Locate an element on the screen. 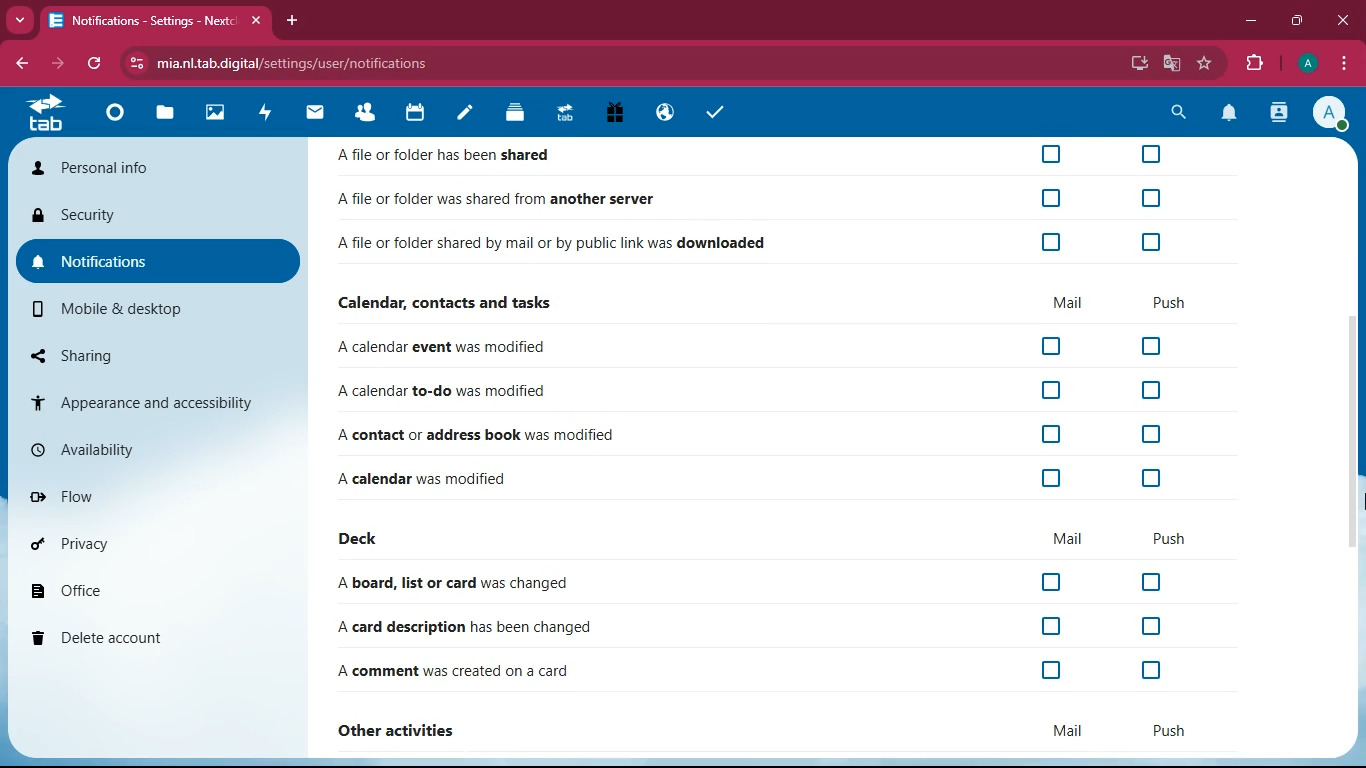 The image size is (1366, 768). Afile or folder was shared from another server is located at coordinates (494, 199).